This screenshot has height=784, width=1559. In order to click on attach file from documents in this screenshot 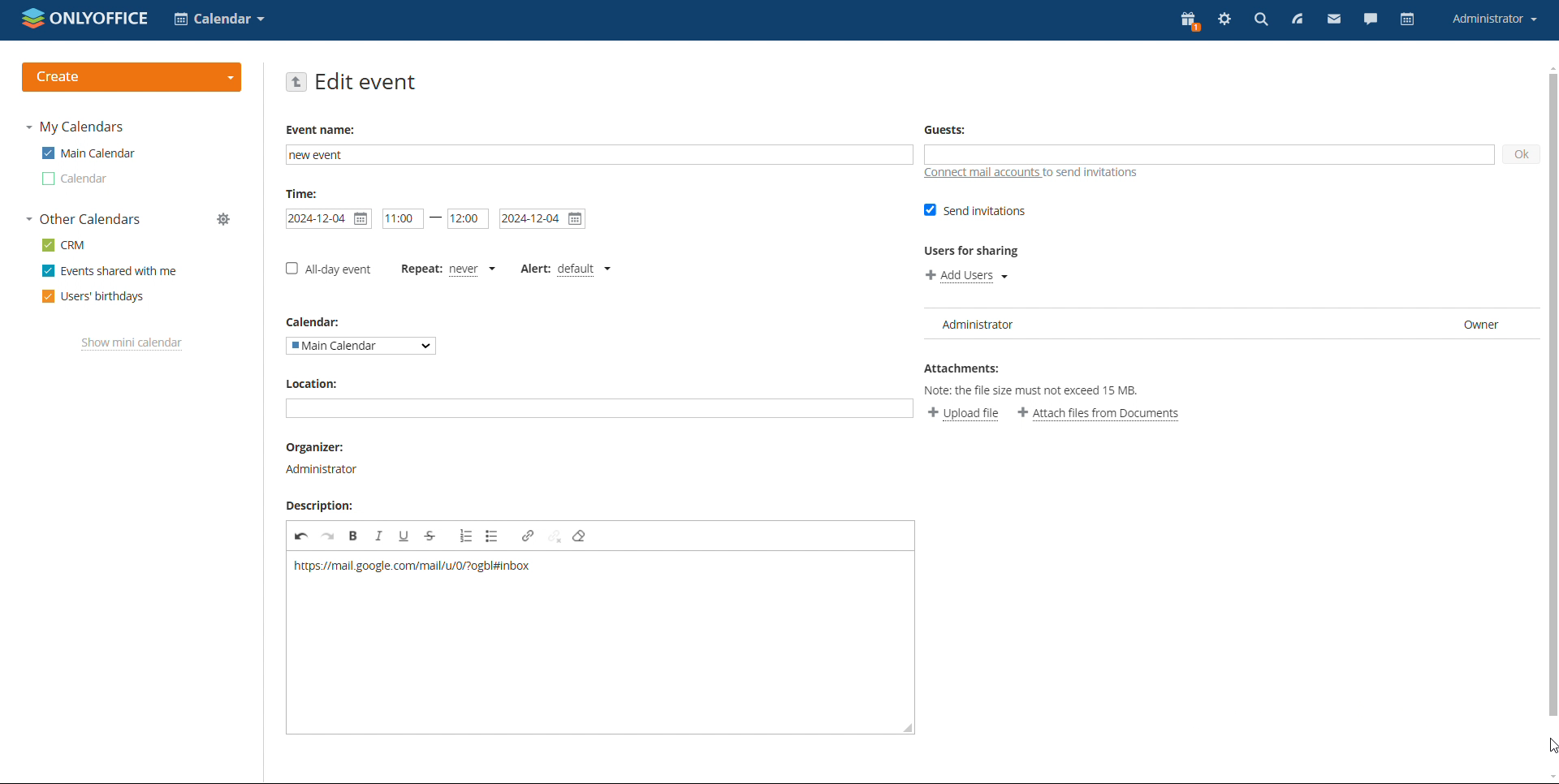, I will do `click(1100, 415)`.